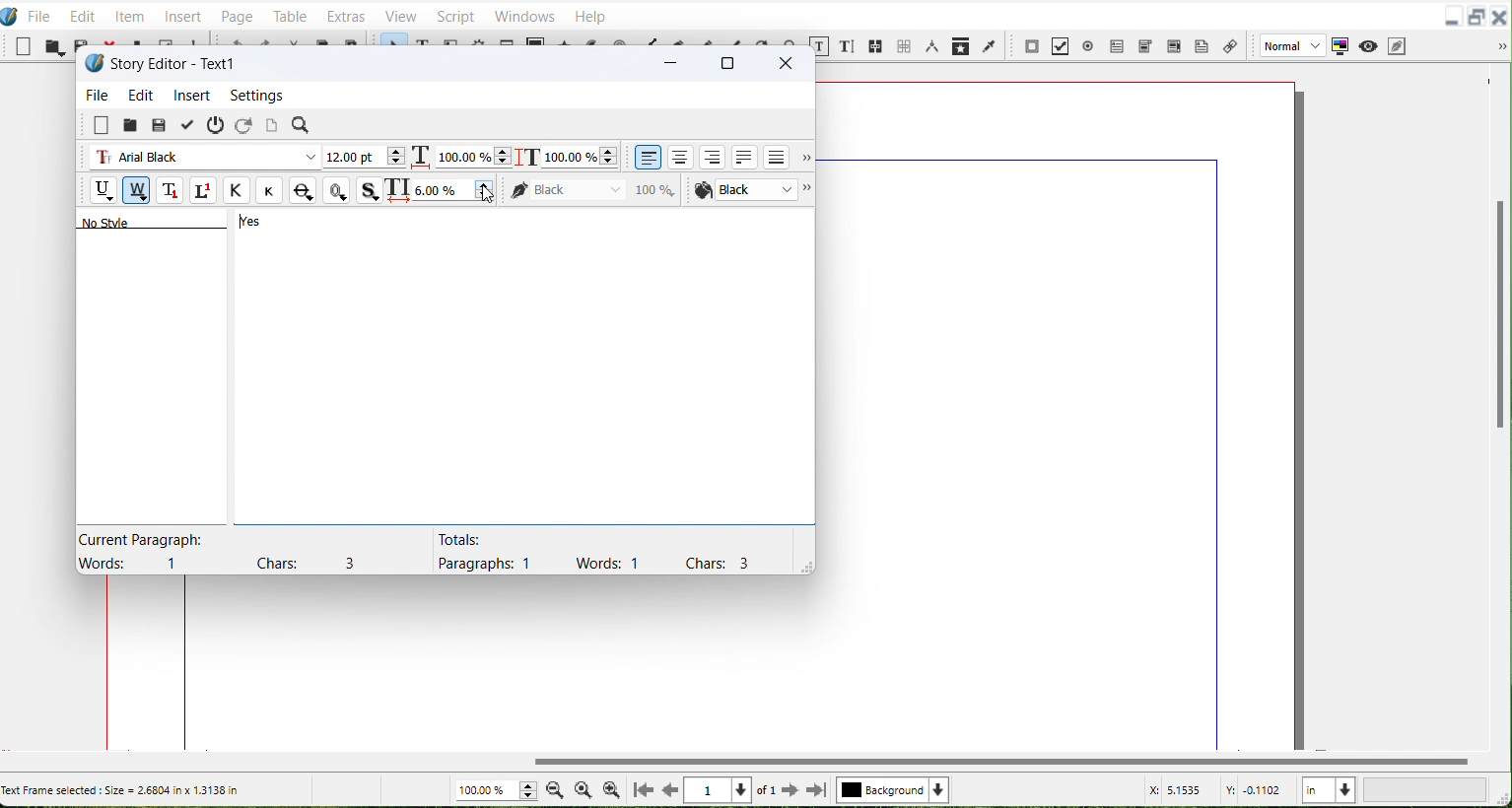 This screenshot has width=1512, height=808. What do you see at coordinates (271, 124) in the screenshot?
I see `Update text frame` at bounding box center [271, 124].